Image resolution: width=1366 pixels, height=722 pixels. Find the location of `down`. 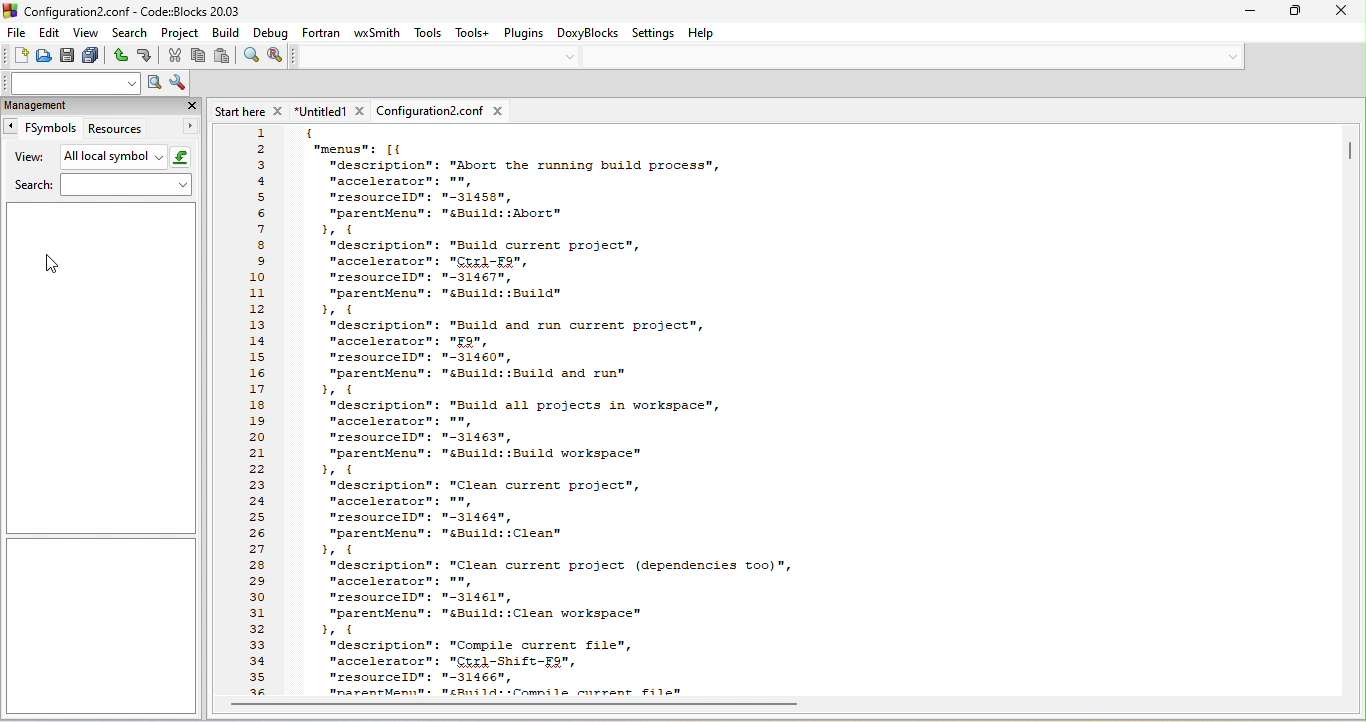

down is located at coordinates (571, 56).